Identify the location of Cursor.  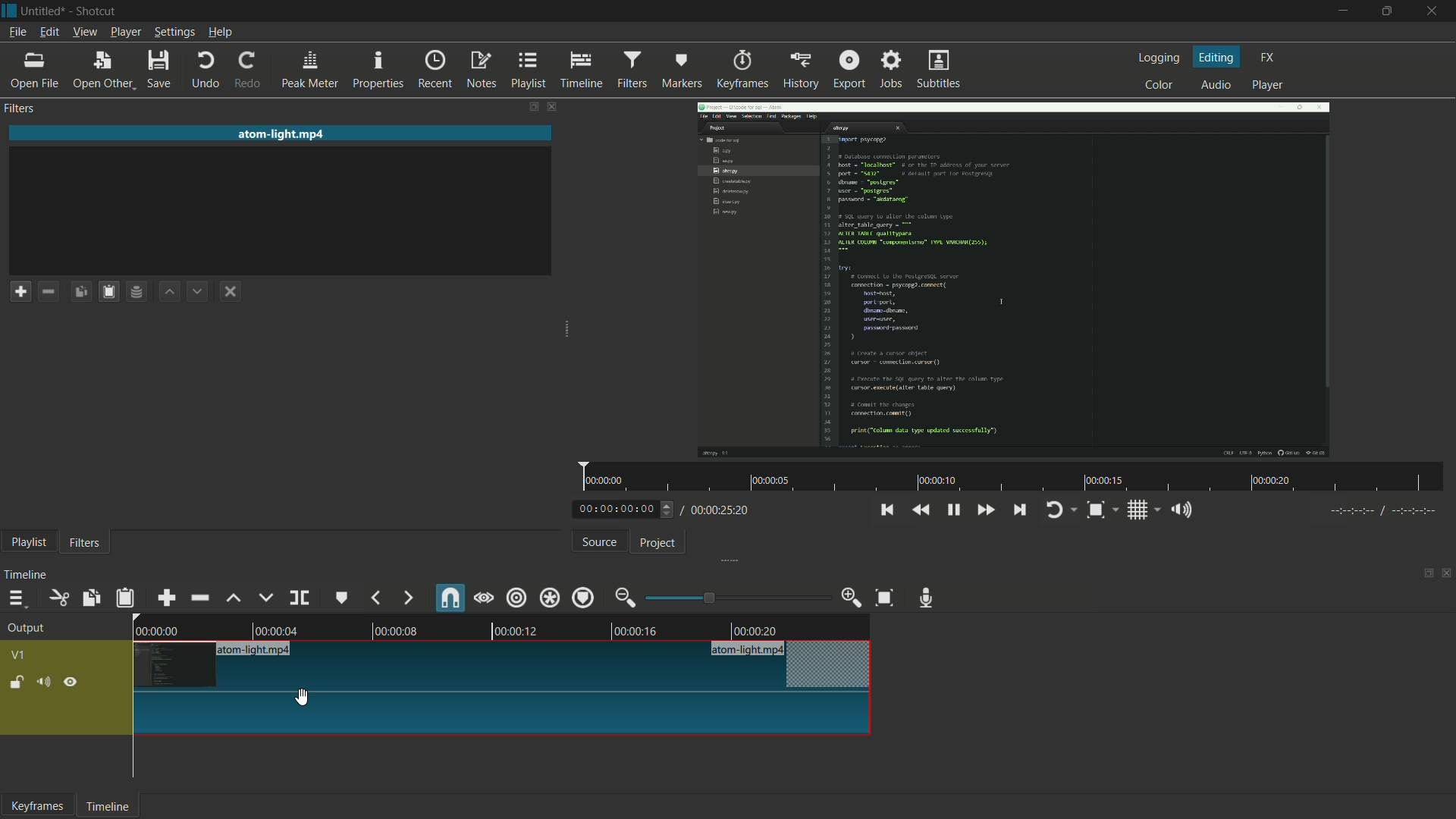
(303, 699).